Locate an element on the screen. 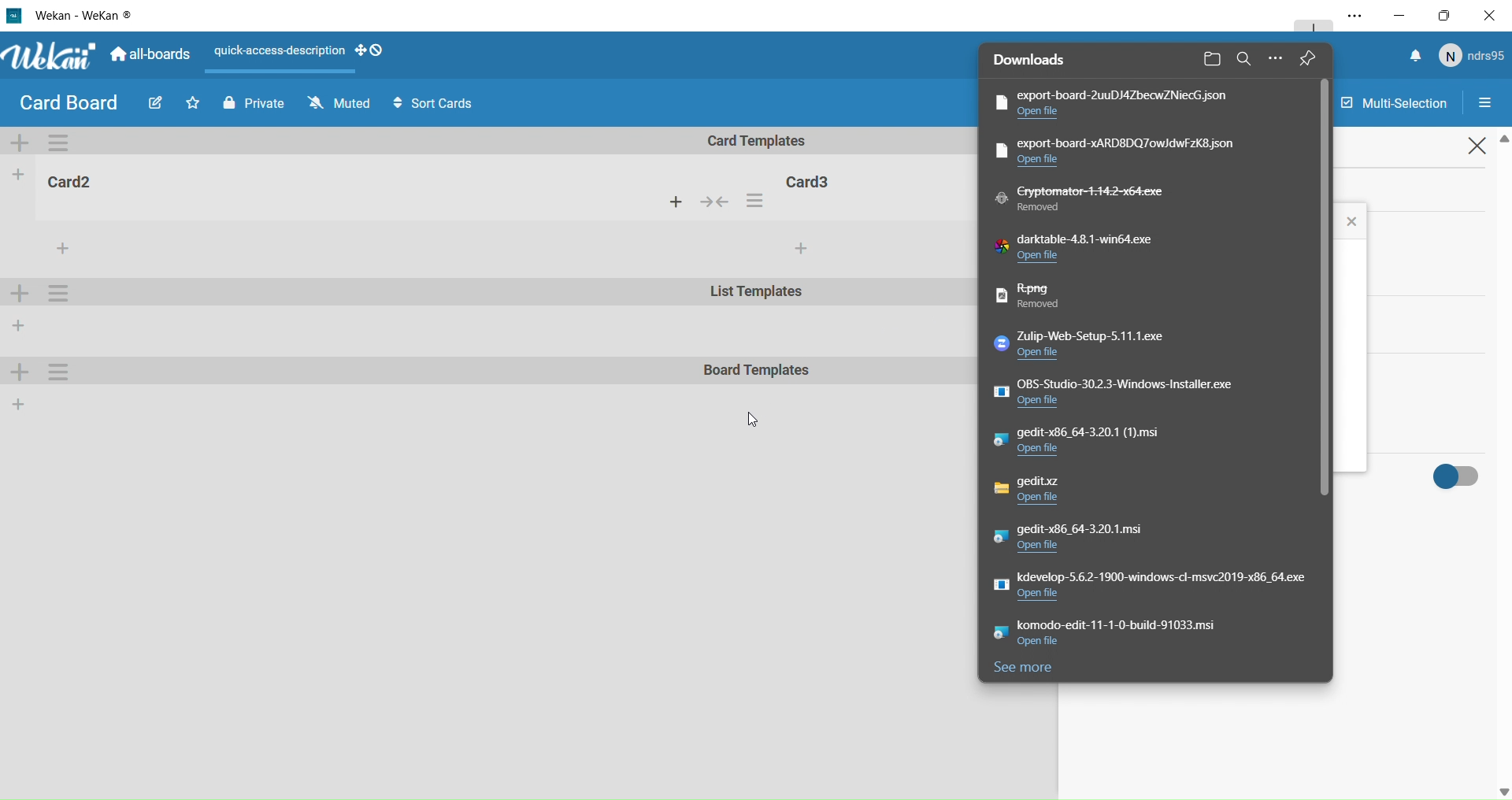 This screenshot has height=800, width=1512. downloaded file is located at coordinates (1049, 299).